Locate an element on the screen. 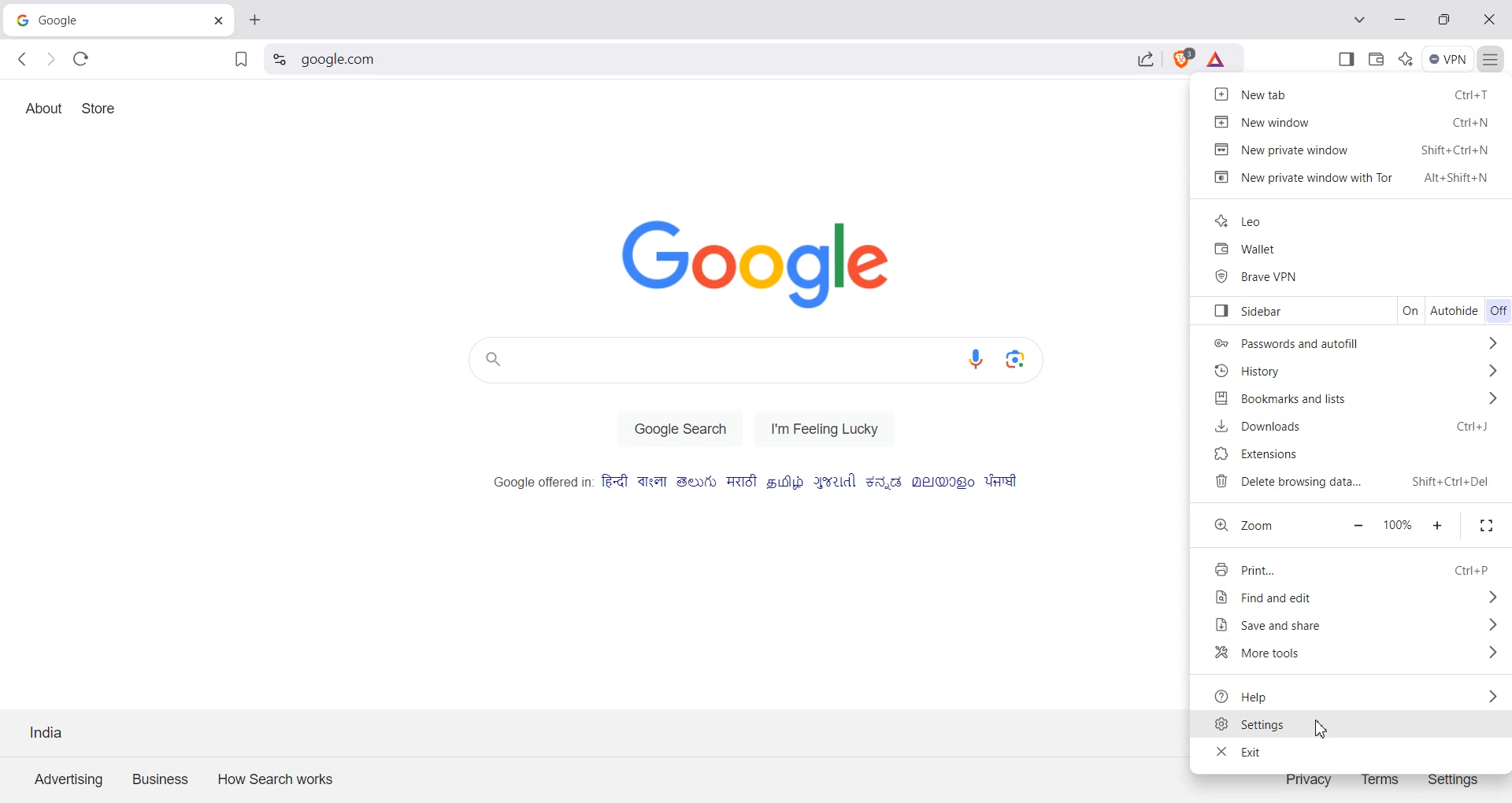 Image resolution: width=1512 pixels, height=803 pixels. New tab is located at coordinates (1353, 93).